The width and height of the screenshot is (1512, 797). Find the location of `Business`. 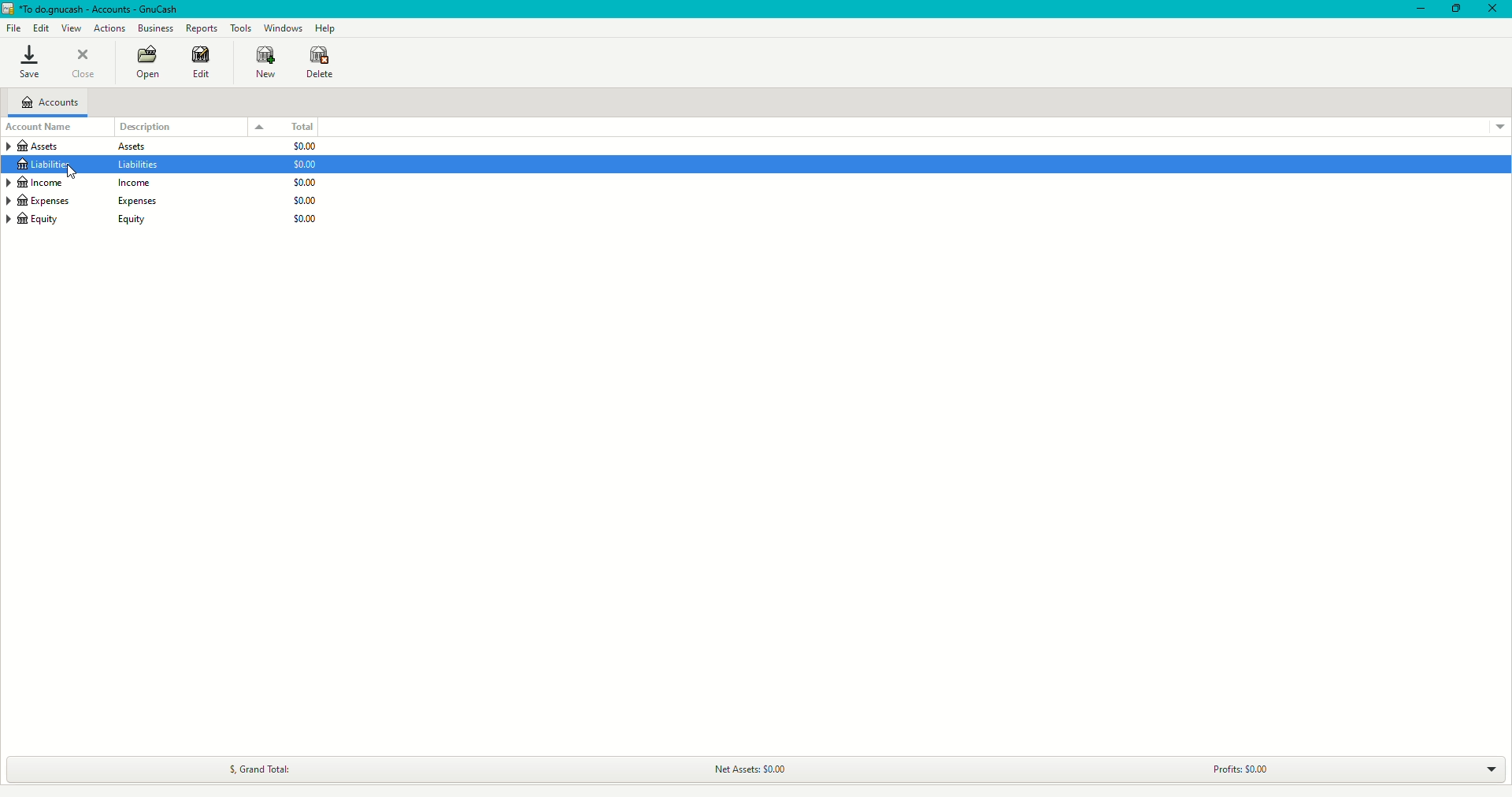

Business is located at coordinates (154, 28).